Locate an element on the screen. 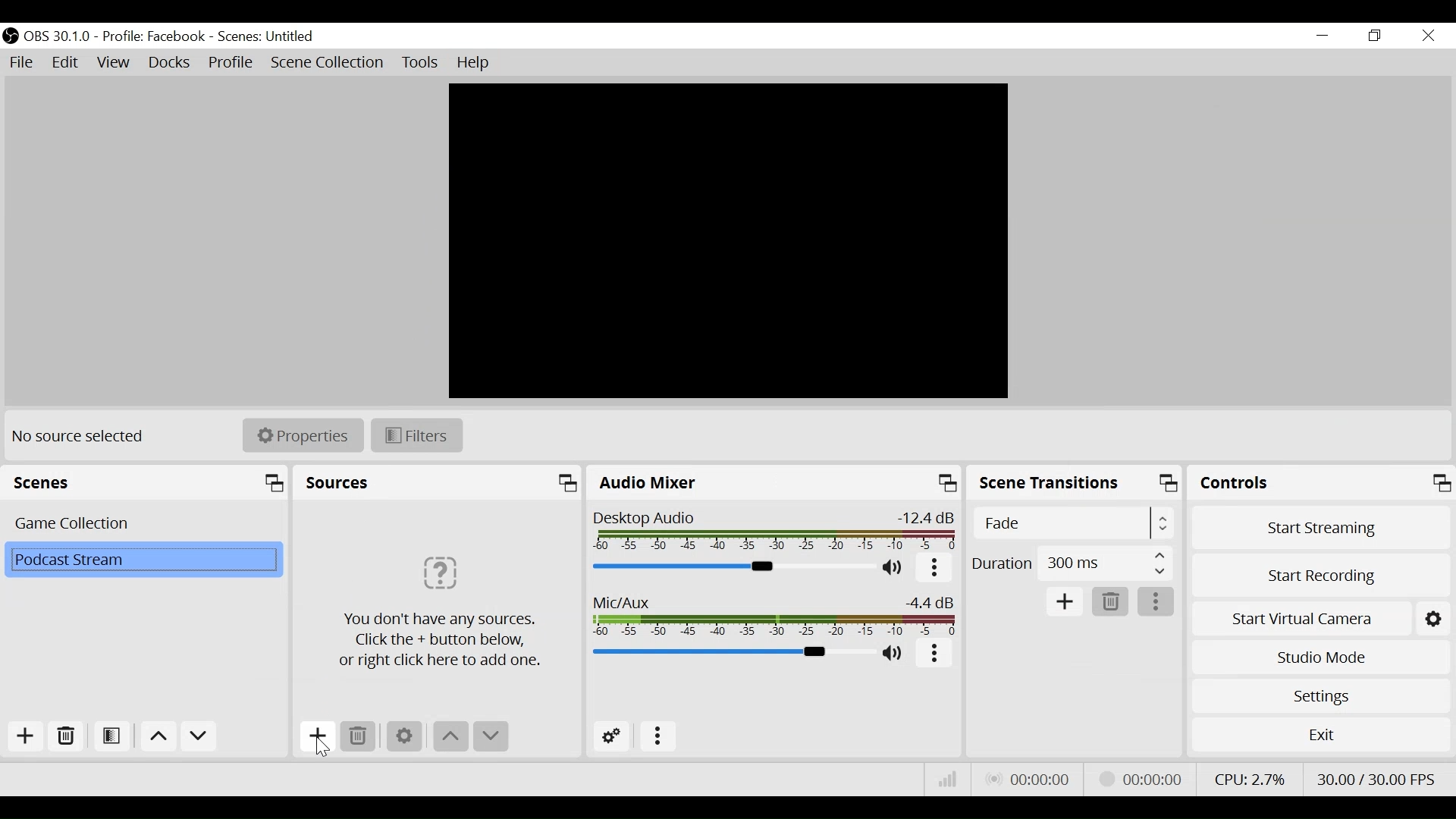  Profile is located at coordinates (231, 63).